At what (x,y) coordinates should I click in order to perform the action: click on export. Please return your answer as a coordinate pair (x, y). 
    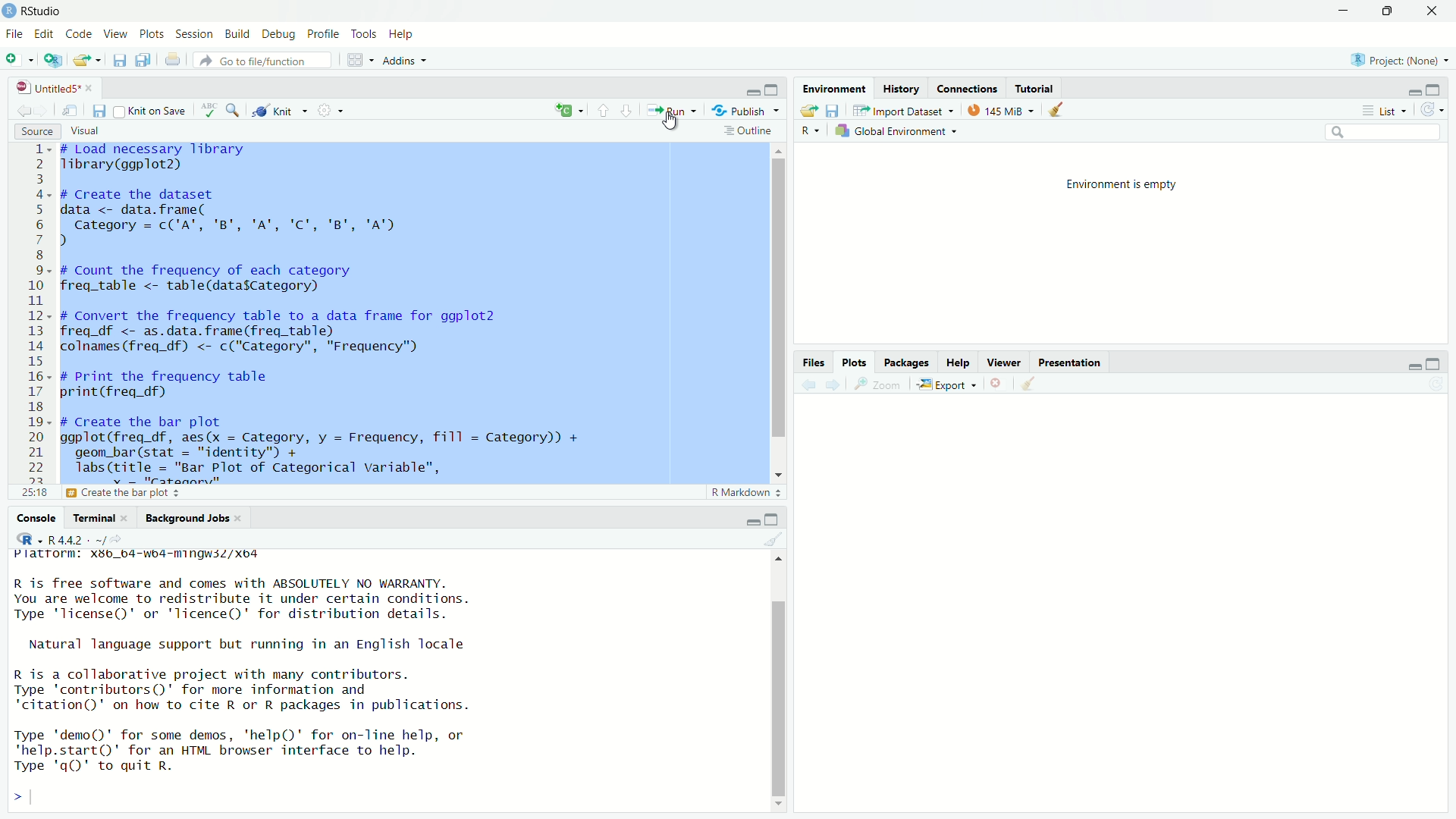
    Looking at the image, I should click on (945, 385).